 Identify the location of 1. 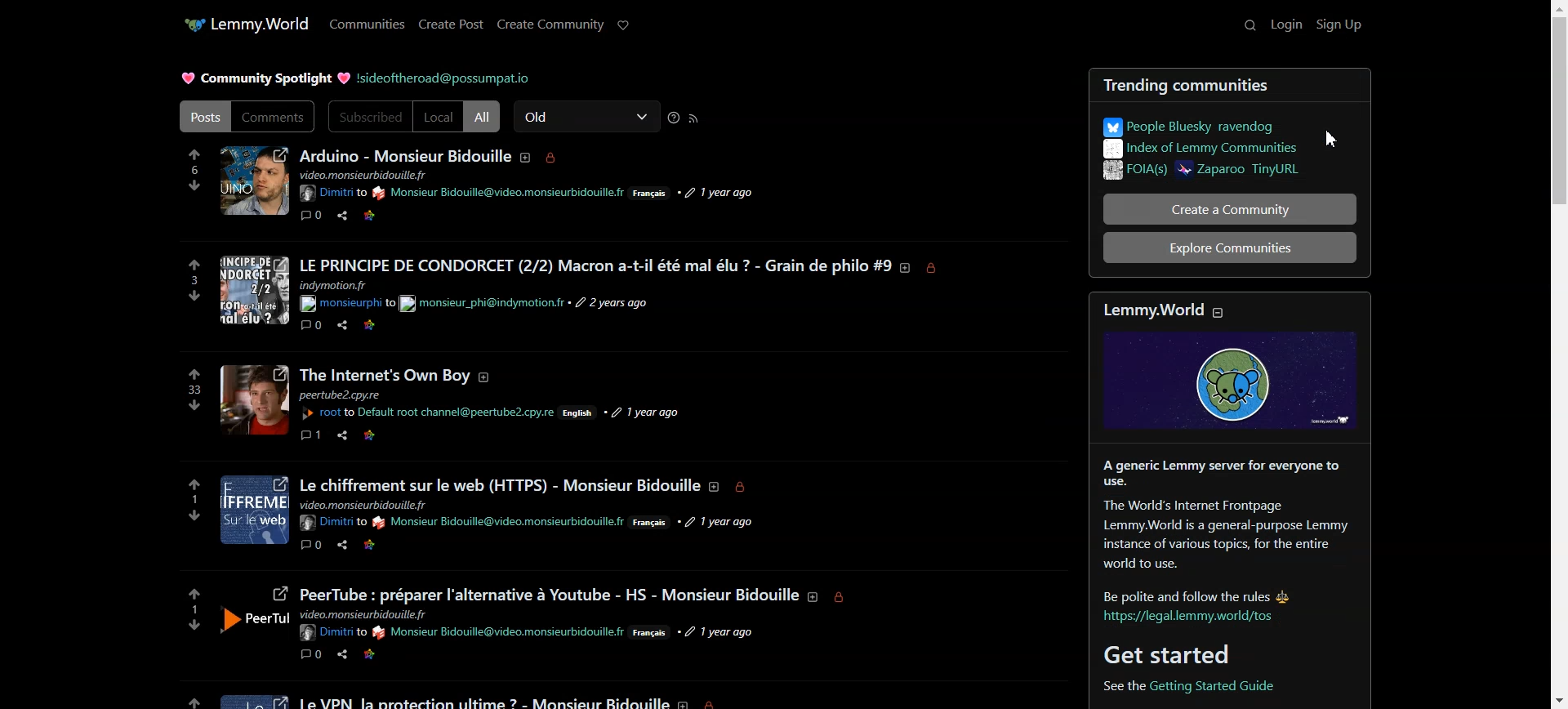
(194, 608).